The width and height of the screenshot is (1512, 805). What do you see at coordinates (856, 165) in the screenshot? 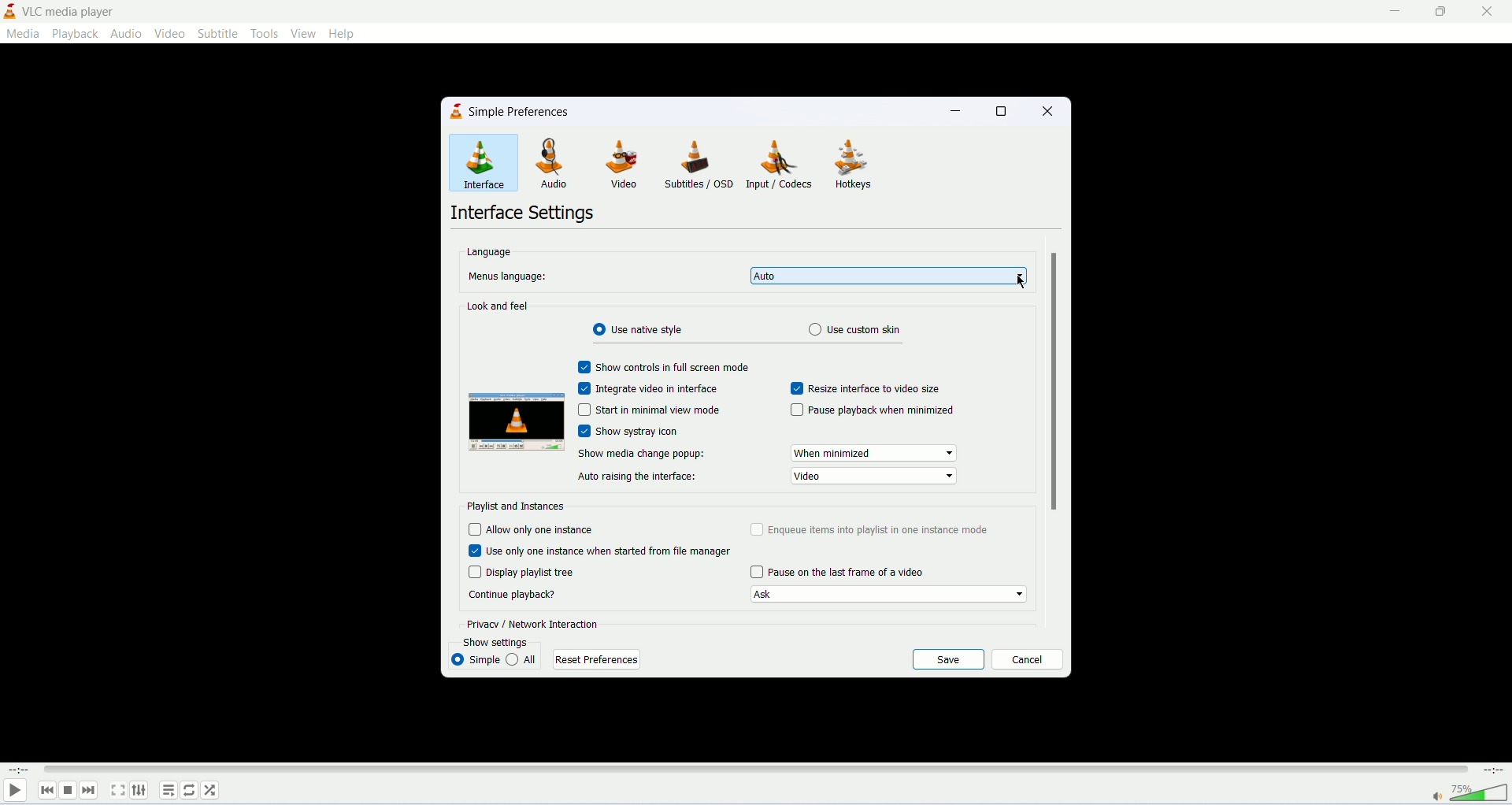
I see `hotkeys` at bounding box center [856, 165].